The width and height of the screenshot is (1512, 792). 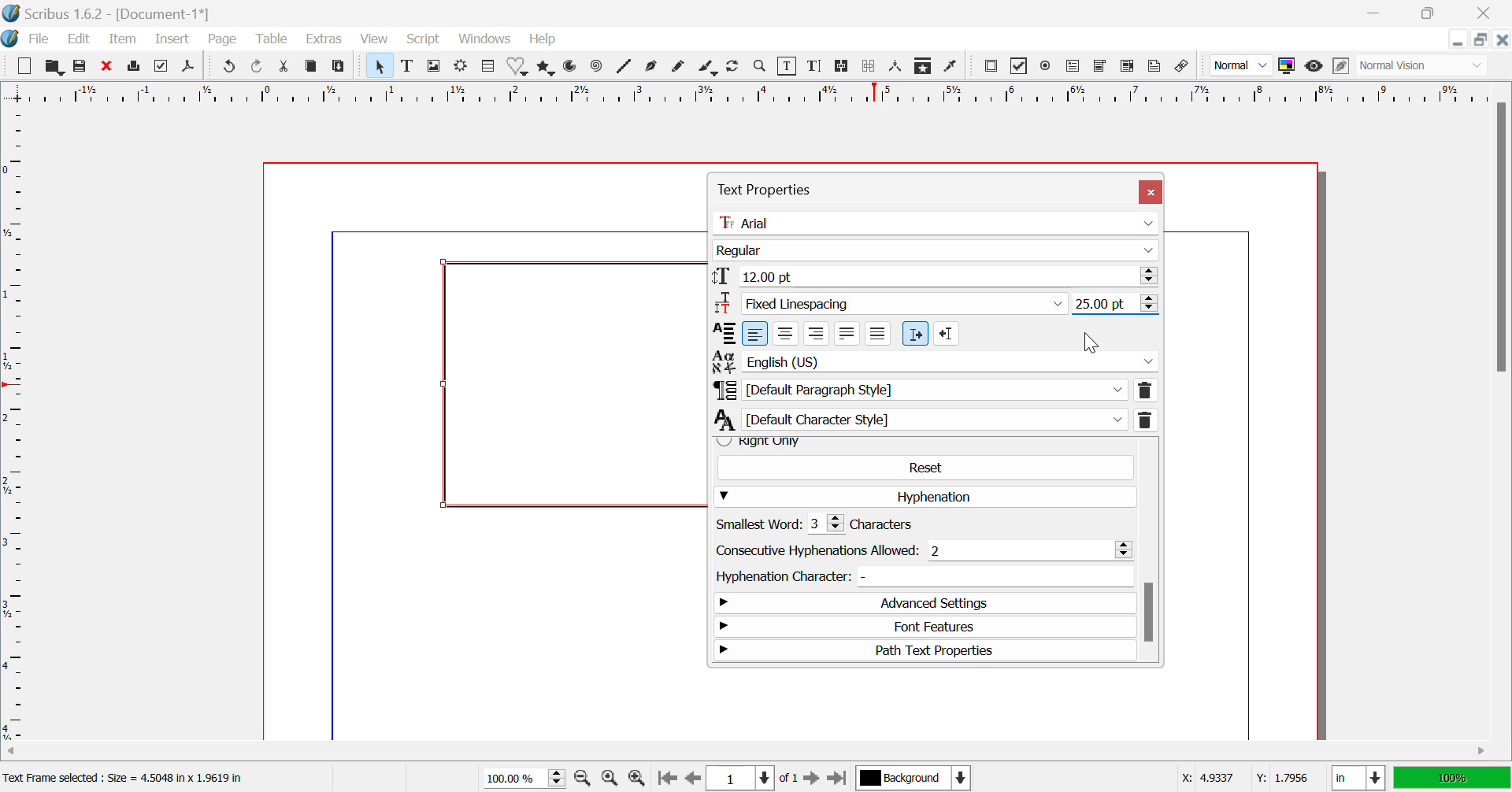 What do you see at coordinates (134, 68) in the screenshot?
I see `Print` at bounding box center [134, 68].